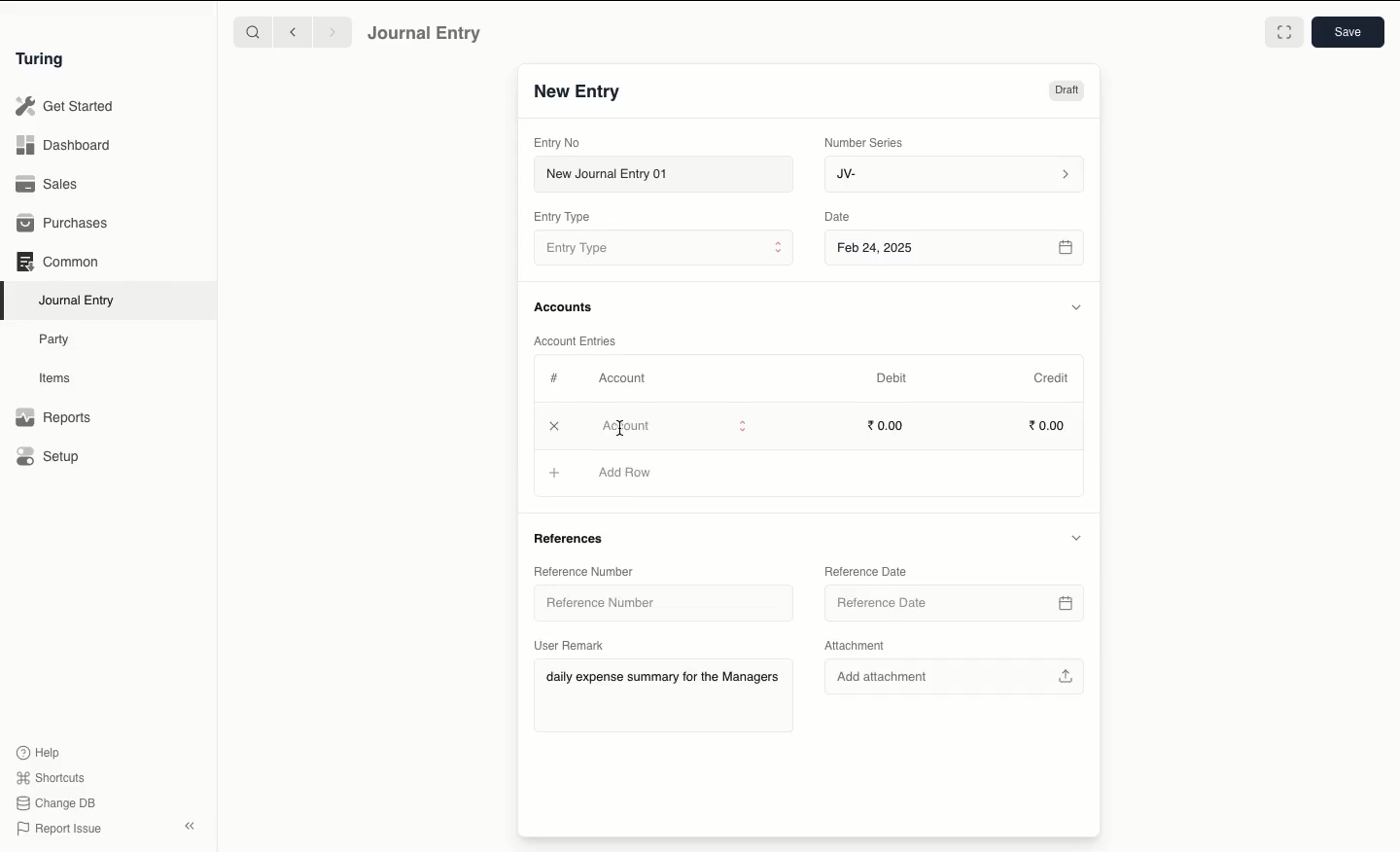 This screenshot has height=852, width=1400. What do you see at coordinates (840, 216) in the screenshot?
I see `Date` at bounding box center [840, 216].